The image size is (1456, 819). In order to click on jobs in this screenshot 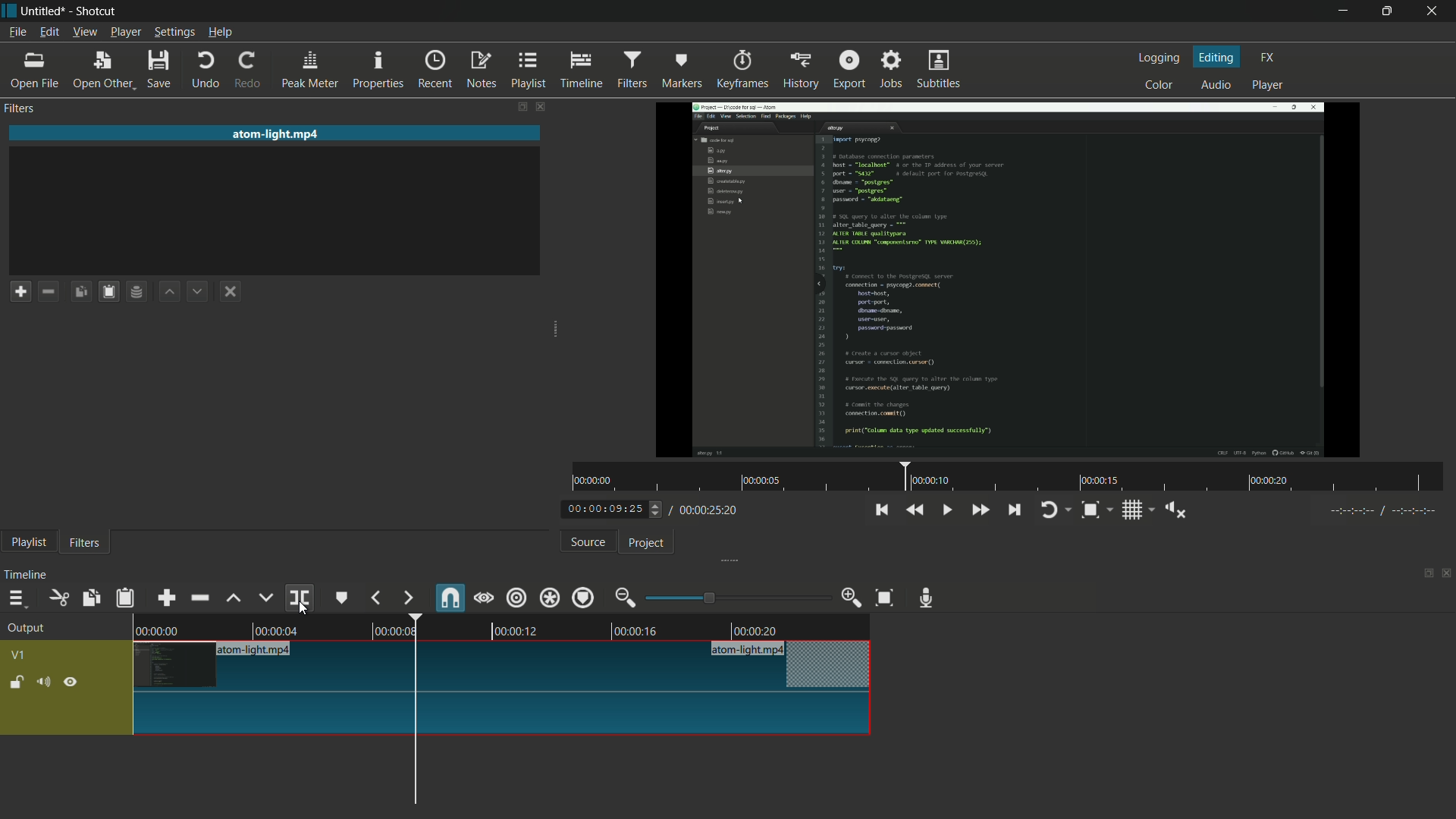, I will do `click(893, 67)`.